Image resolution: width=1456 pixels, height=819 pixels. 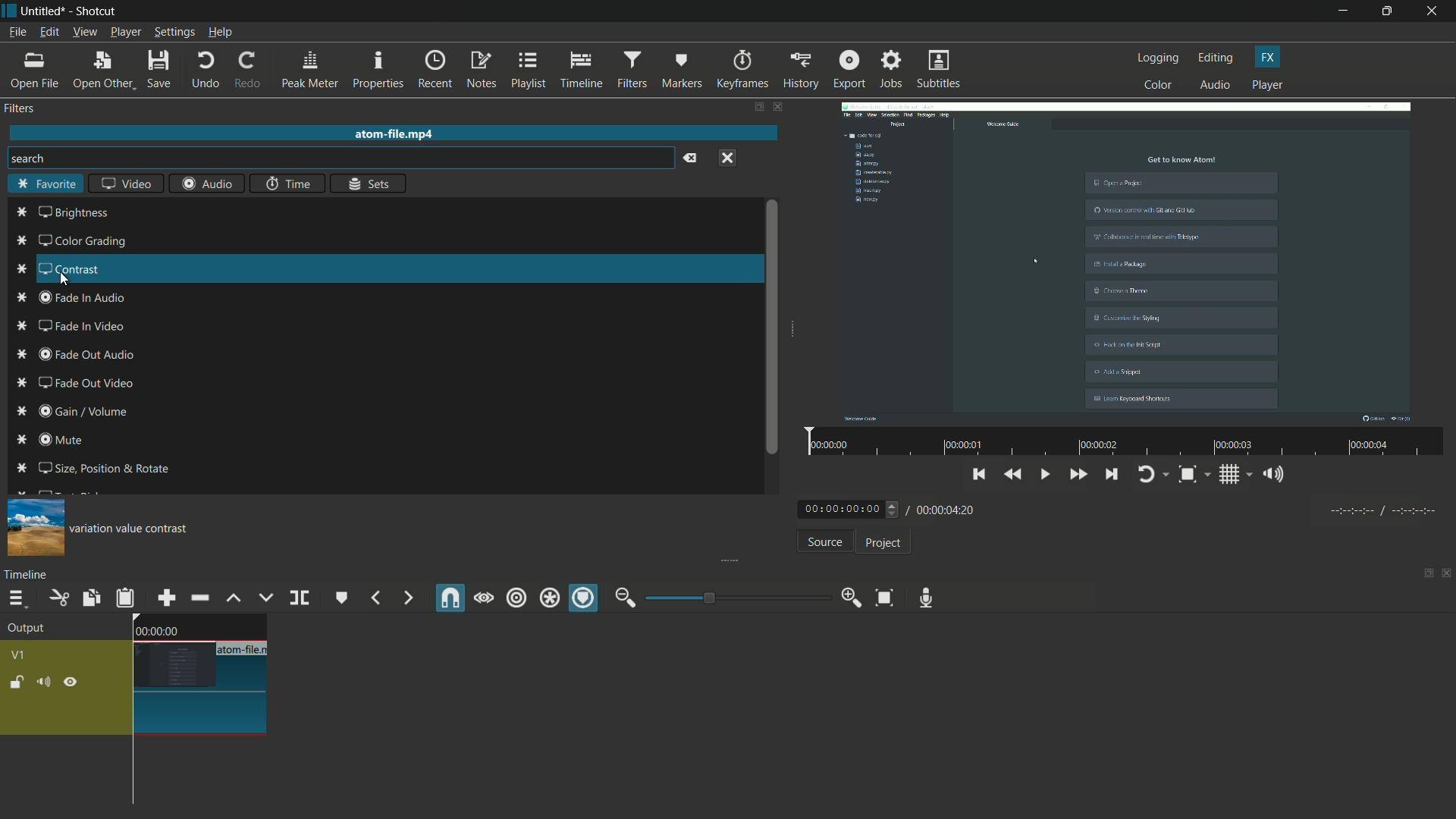 I want to click on file menu, so click(x=17, y=32).